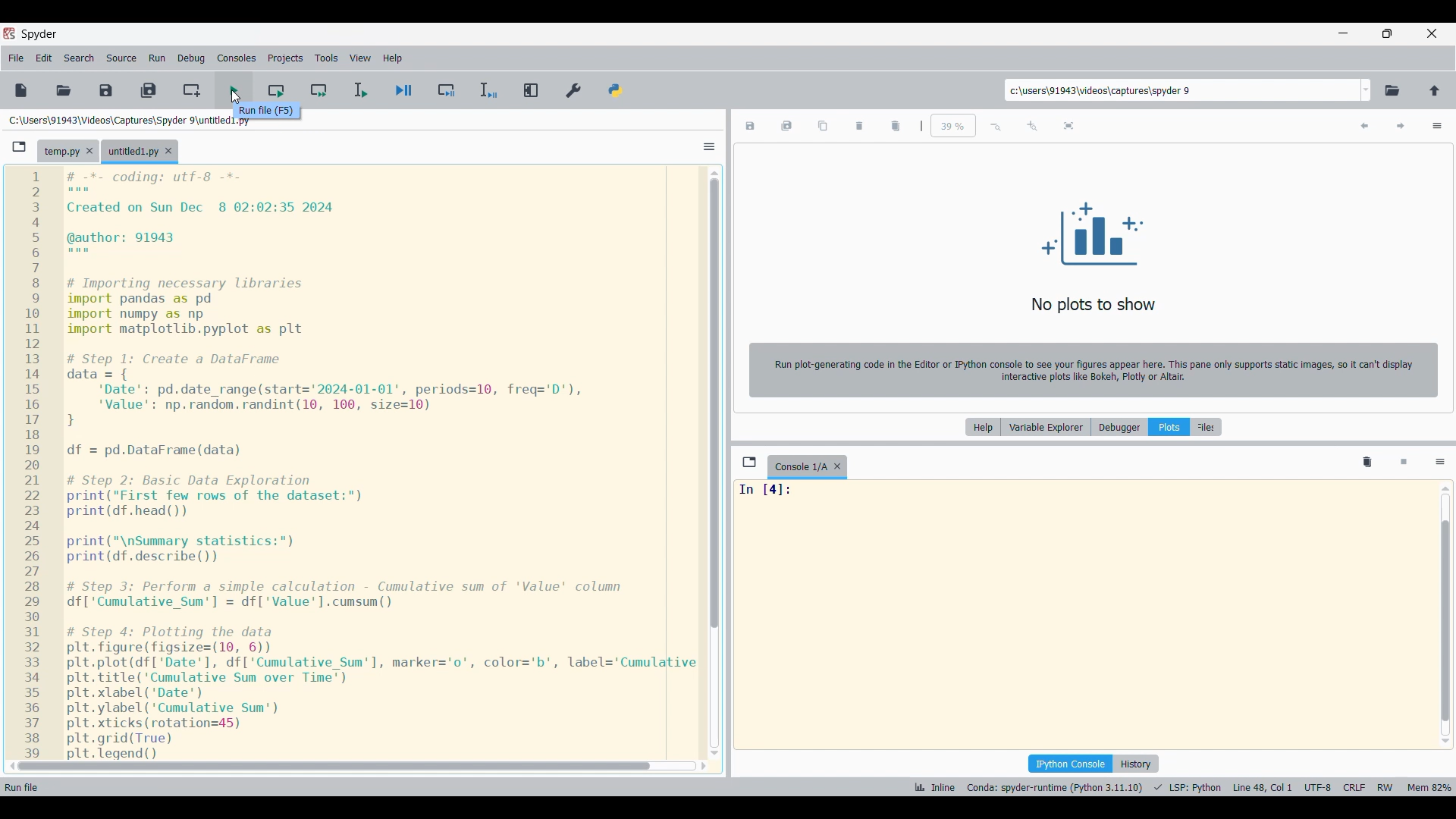  What do you see at coordinates (1393, 92) in the screenshot?
I see `Browse a working directory` at bounding box center [1393, 92].